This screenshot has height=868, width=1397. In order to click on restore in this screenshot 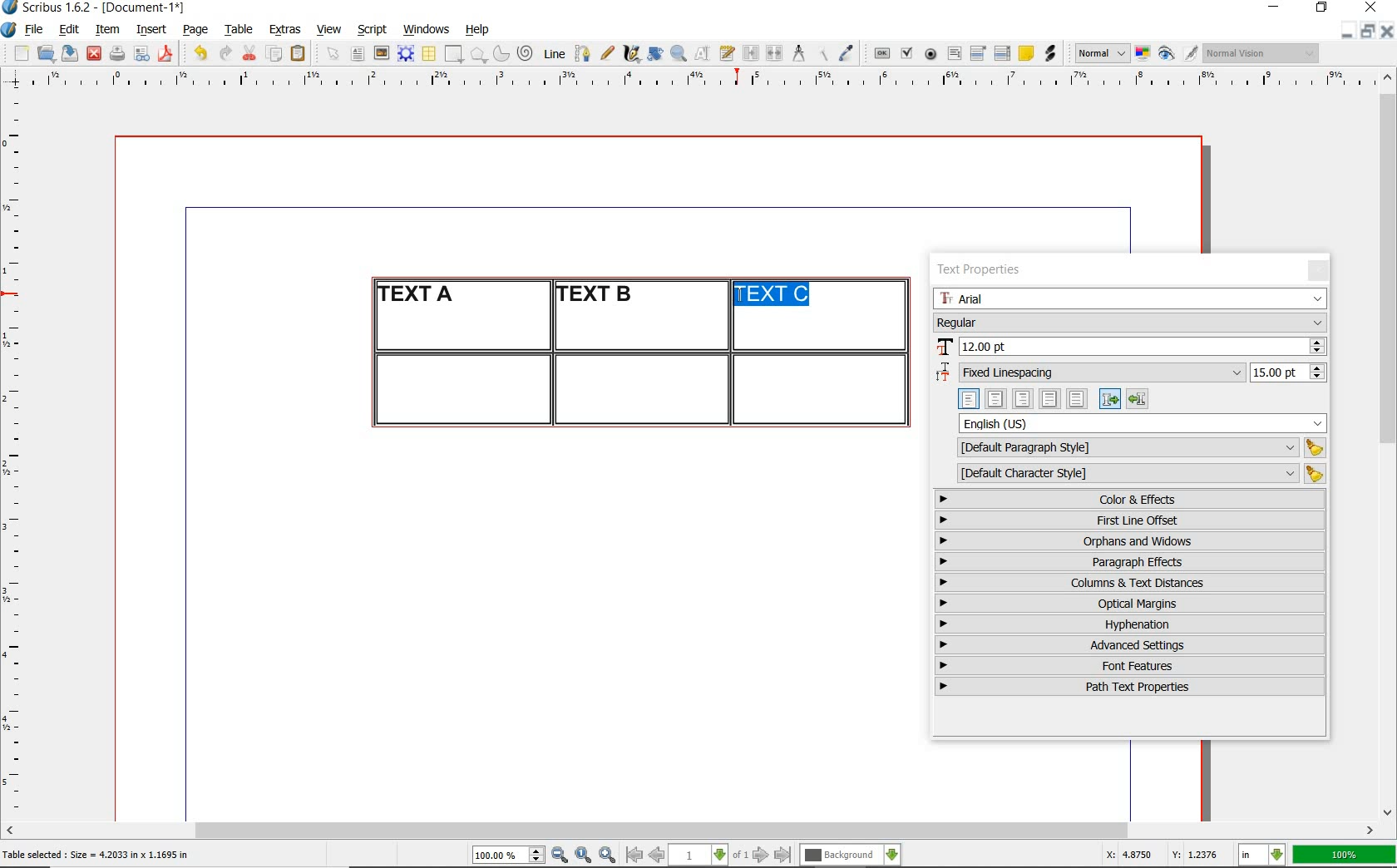, I will do `click(1322, 8)`.